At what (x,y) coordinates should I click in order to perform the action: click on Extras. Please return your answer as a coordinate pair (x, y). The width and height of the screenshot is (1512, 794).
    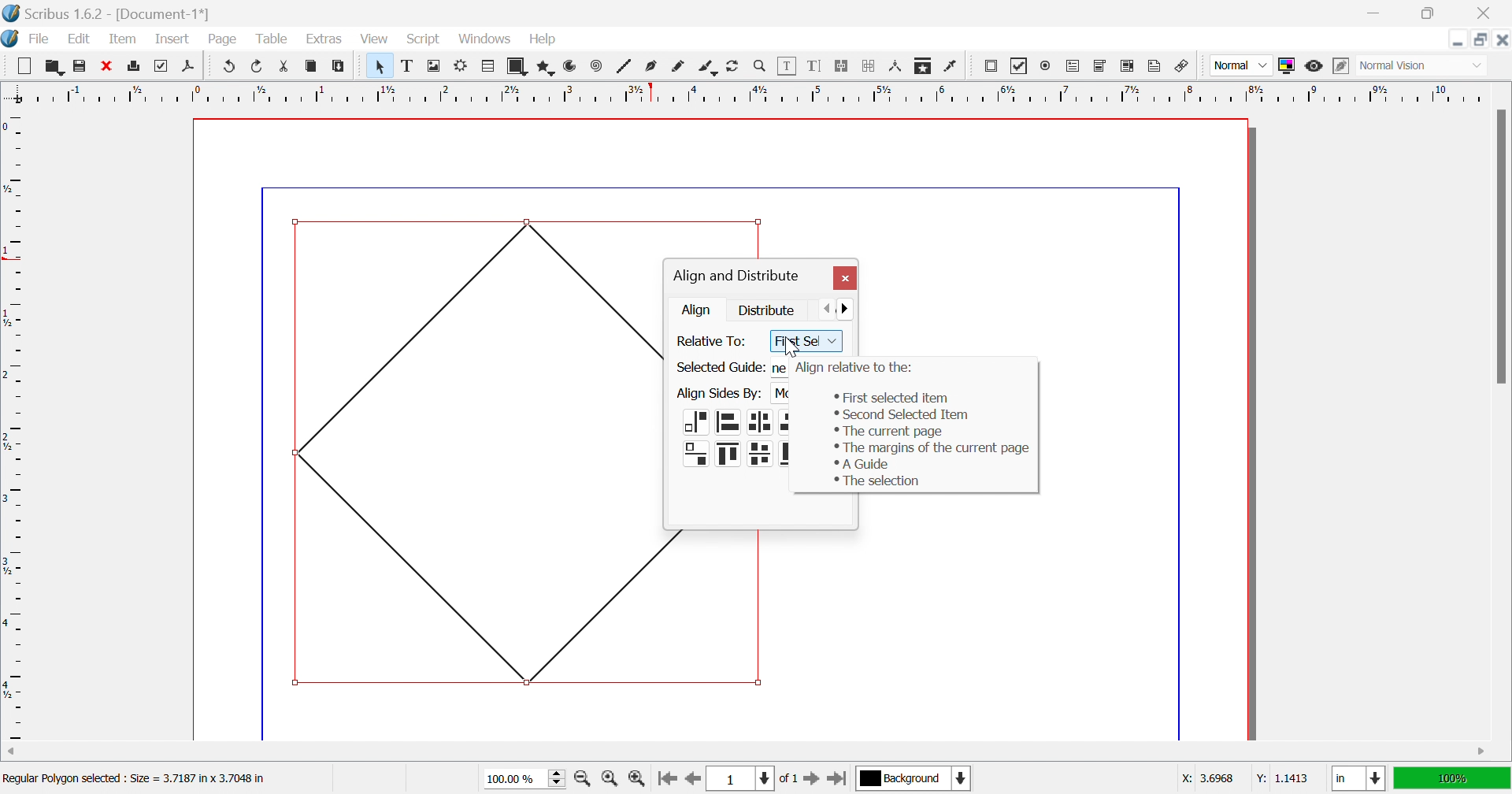
    Looking at the image, I should click on (324, 39).